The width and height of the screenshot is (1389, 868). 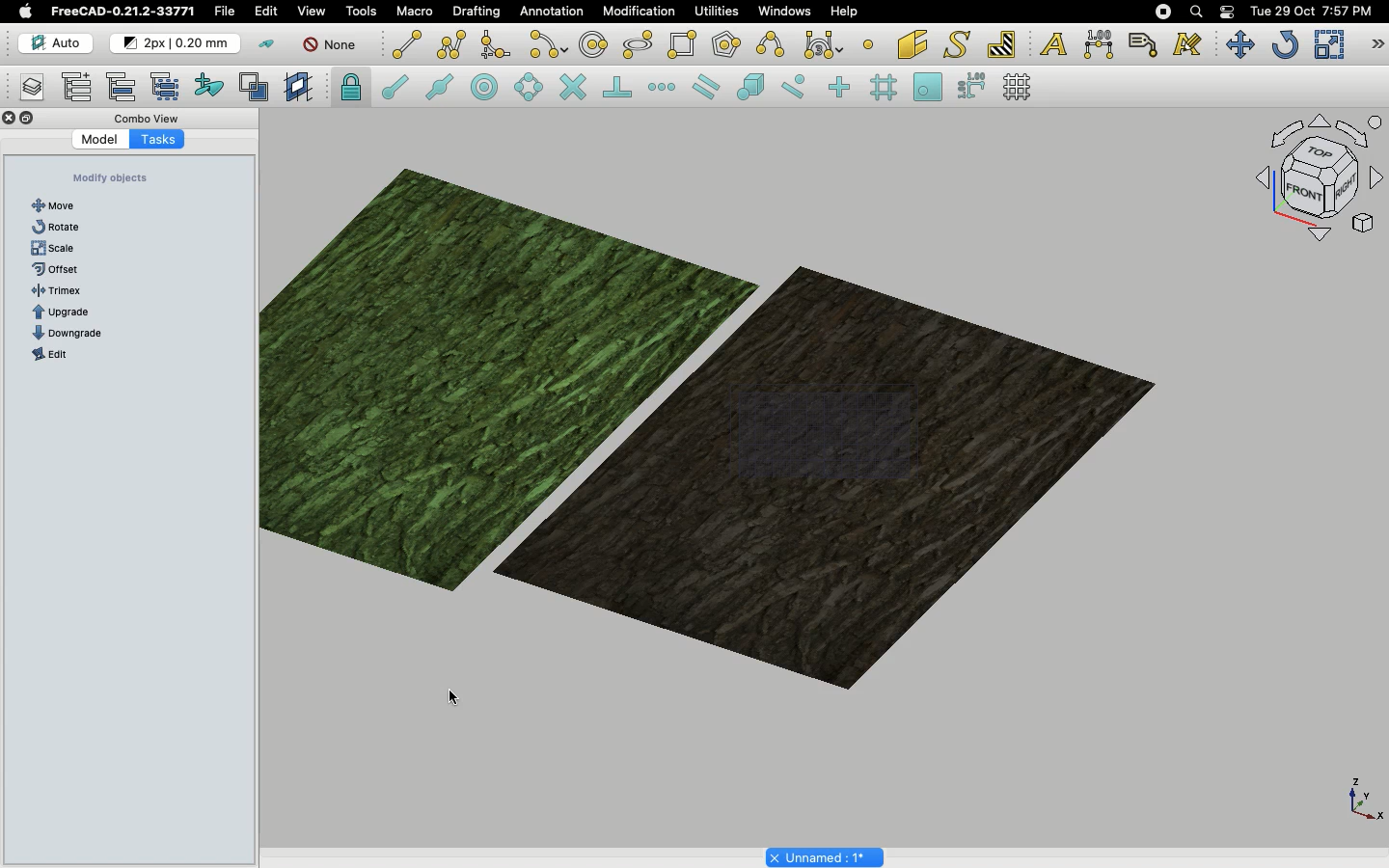 I want to click on  Timer, so click(x=67, y=291).